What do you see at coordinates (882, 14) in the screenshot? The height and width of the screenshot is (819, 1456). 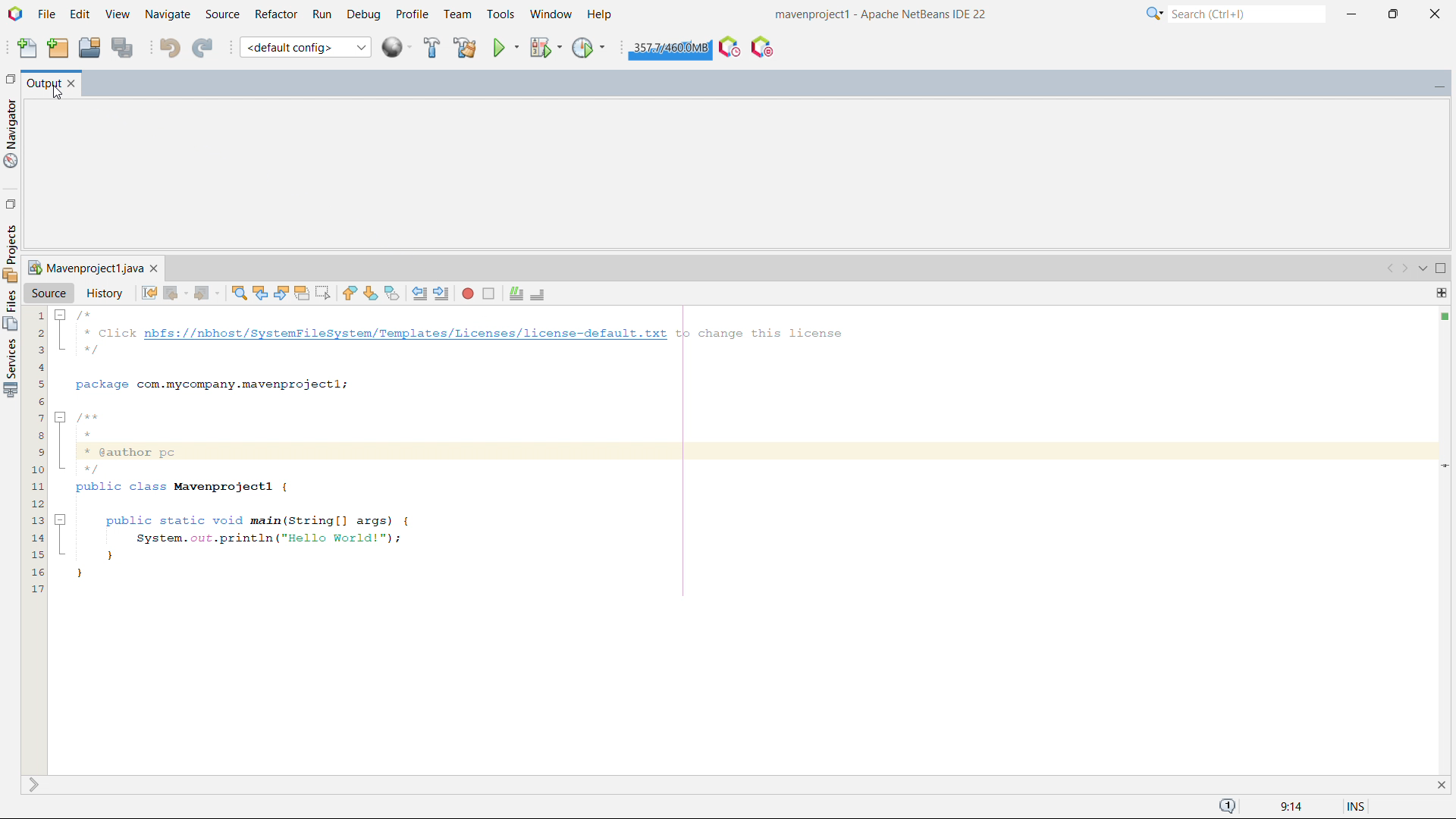 I see `project title` at bounding box center [882, 14].